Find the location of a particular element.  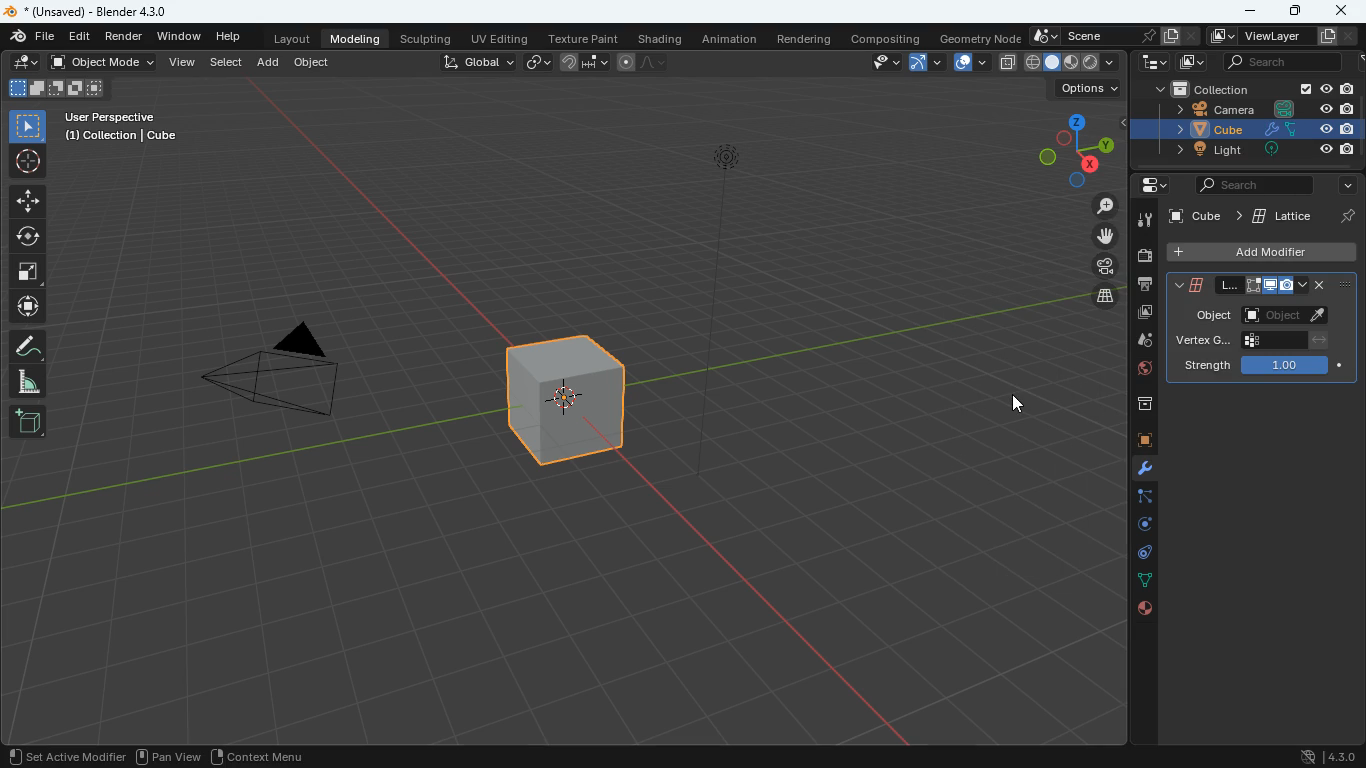

edit is located at coordinates (79, 36).